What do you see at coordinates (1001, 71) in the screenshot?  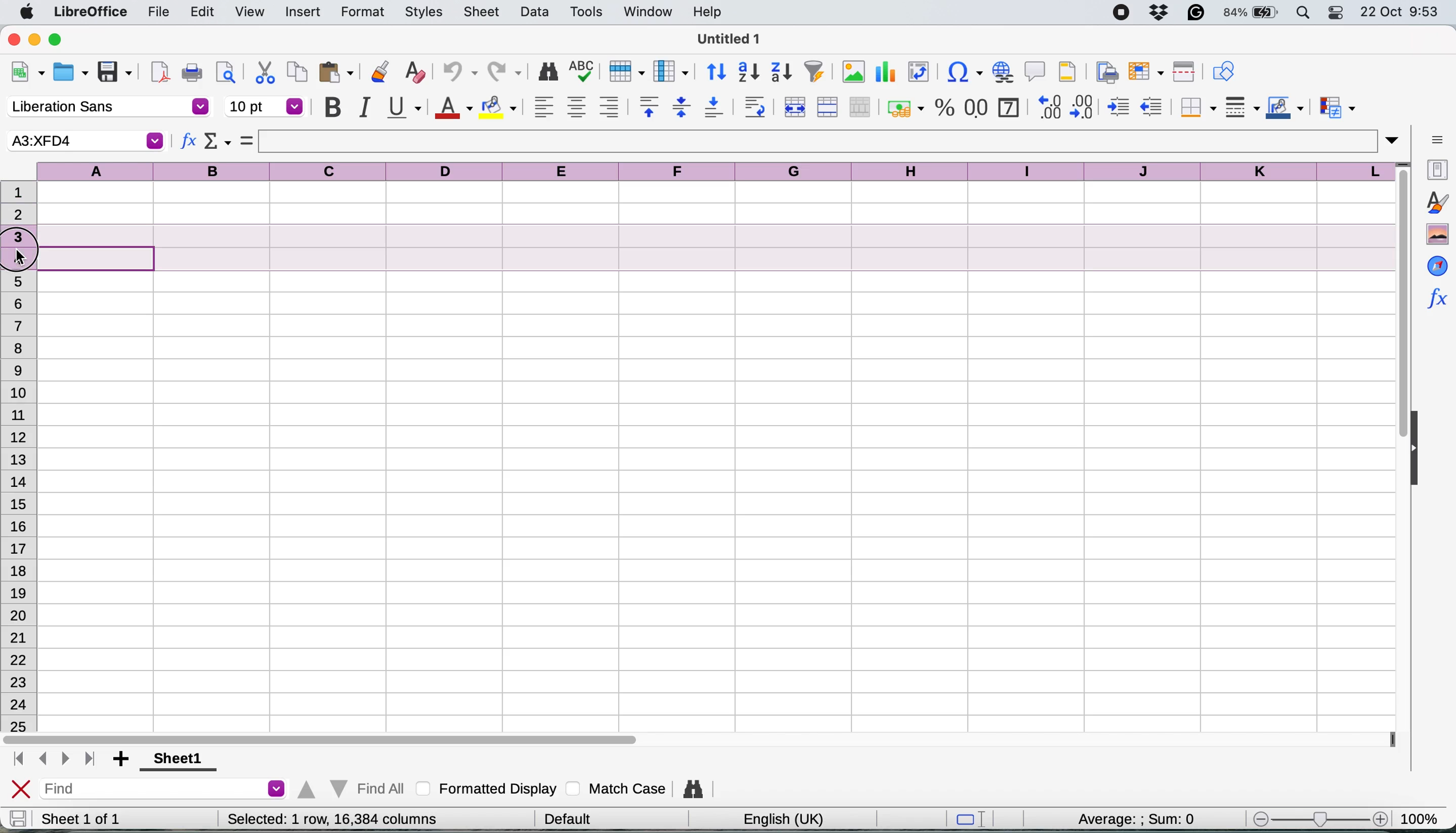 I see `insert hyperlink` at bounding box center [1001, 71].